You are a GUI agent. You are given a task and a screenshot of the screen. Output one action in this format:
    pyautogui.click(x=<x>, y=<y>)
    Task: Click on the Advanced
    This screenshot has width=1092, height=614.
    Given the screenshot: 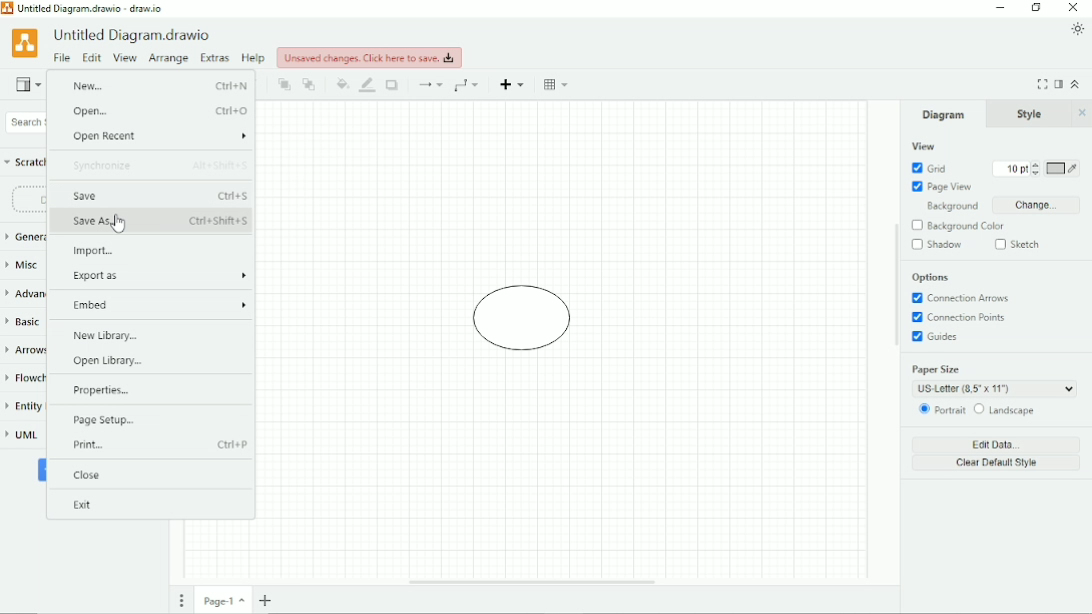 What is the action you would take?
    pyautogui.click(x=23, y=292)
    